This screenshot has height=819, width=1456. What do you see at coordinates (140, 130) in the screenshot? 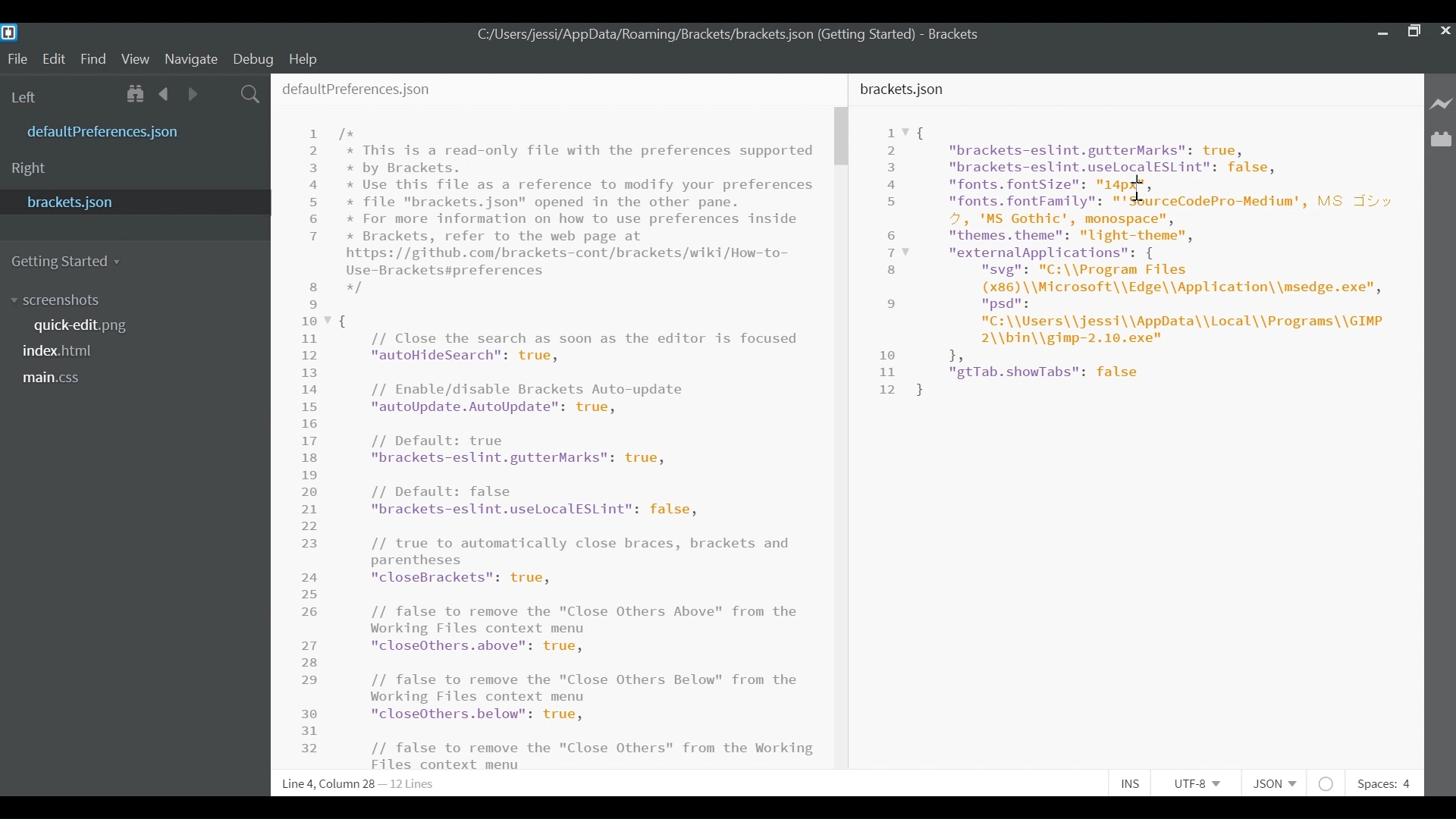
I see `defaultPreference.json` at bounding box center [140, 130].